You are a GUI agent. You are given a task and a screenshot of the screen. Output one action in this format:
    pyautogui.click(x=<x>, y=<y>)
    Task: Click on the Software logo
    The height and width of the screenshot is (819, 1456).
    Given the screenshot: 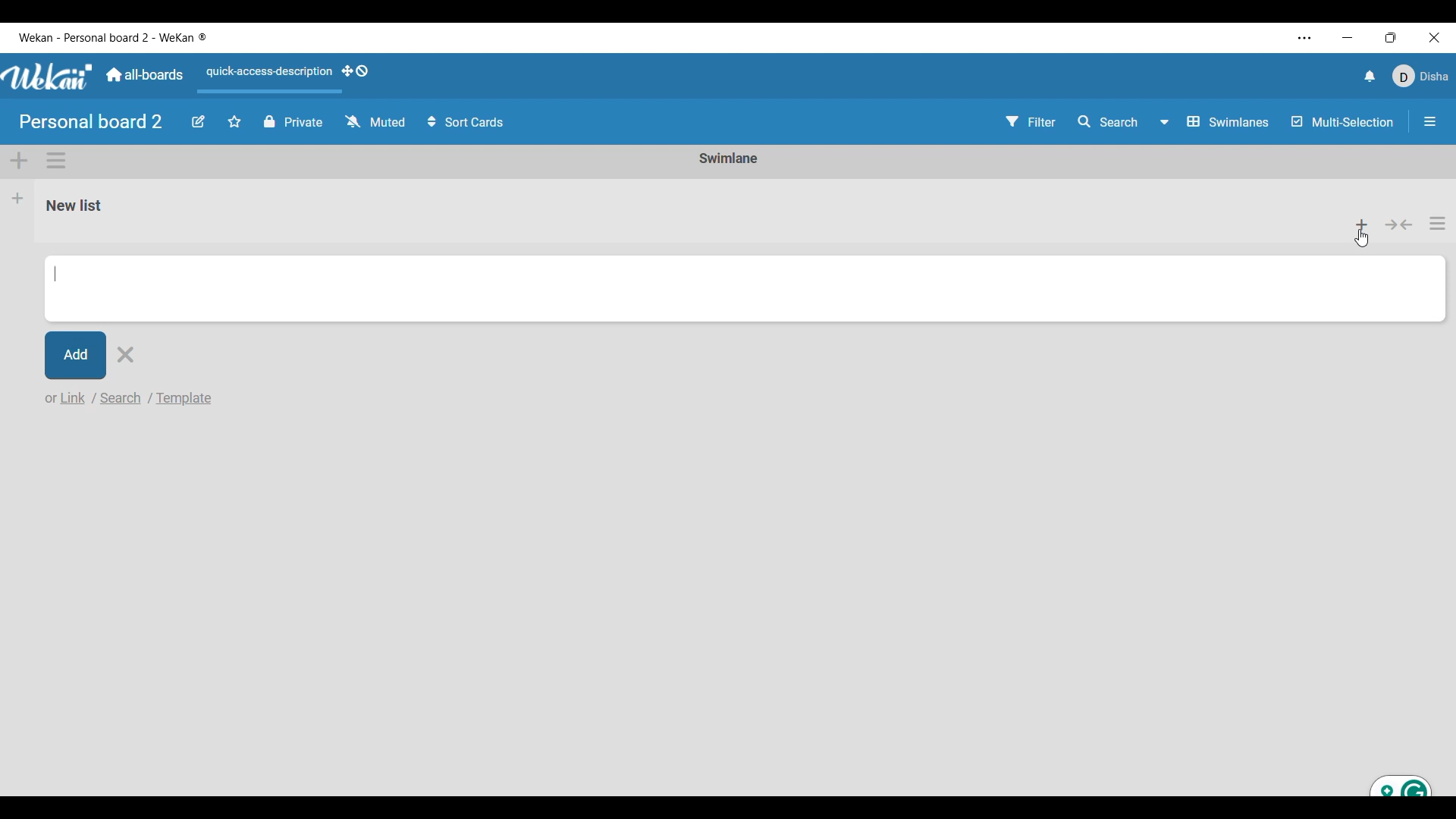 What is the action you would take?
    pyautogui.click(x=48, y=77)
    